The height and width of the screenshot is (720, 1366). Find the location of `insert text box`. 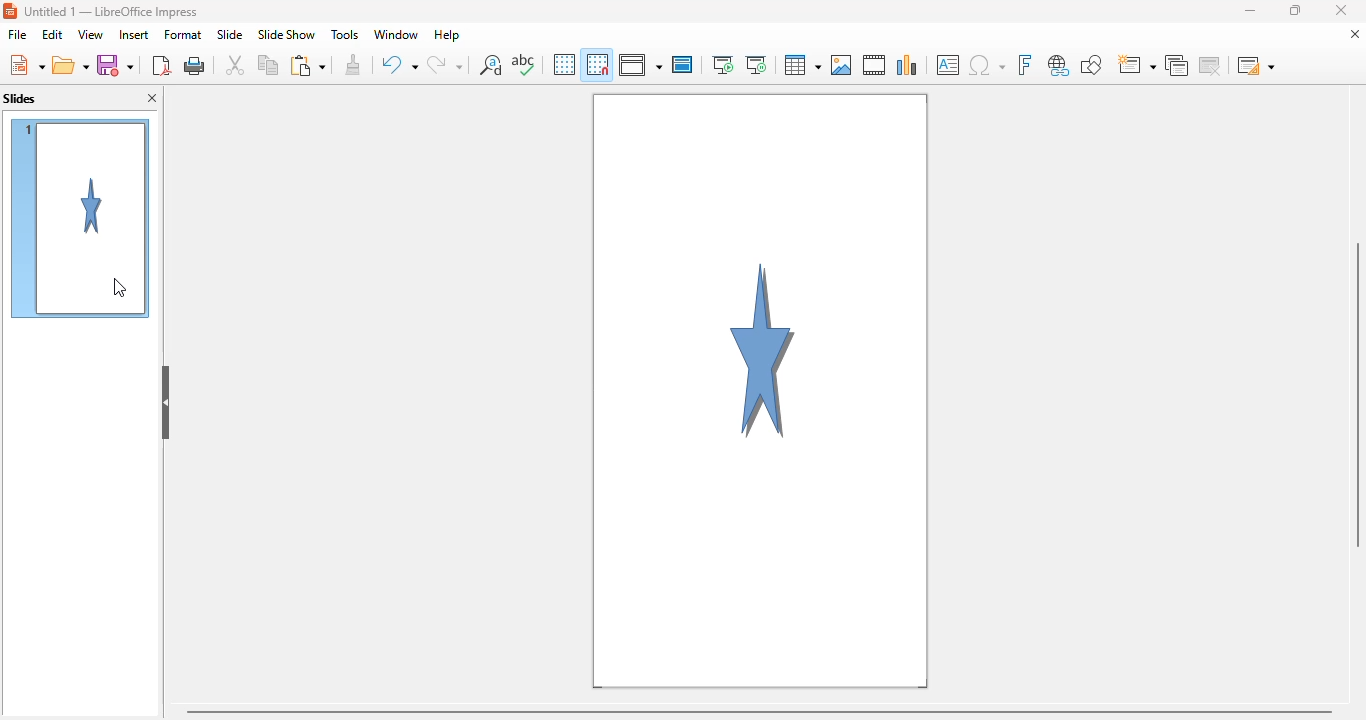

insert text box is located at coordinates (948, 65).